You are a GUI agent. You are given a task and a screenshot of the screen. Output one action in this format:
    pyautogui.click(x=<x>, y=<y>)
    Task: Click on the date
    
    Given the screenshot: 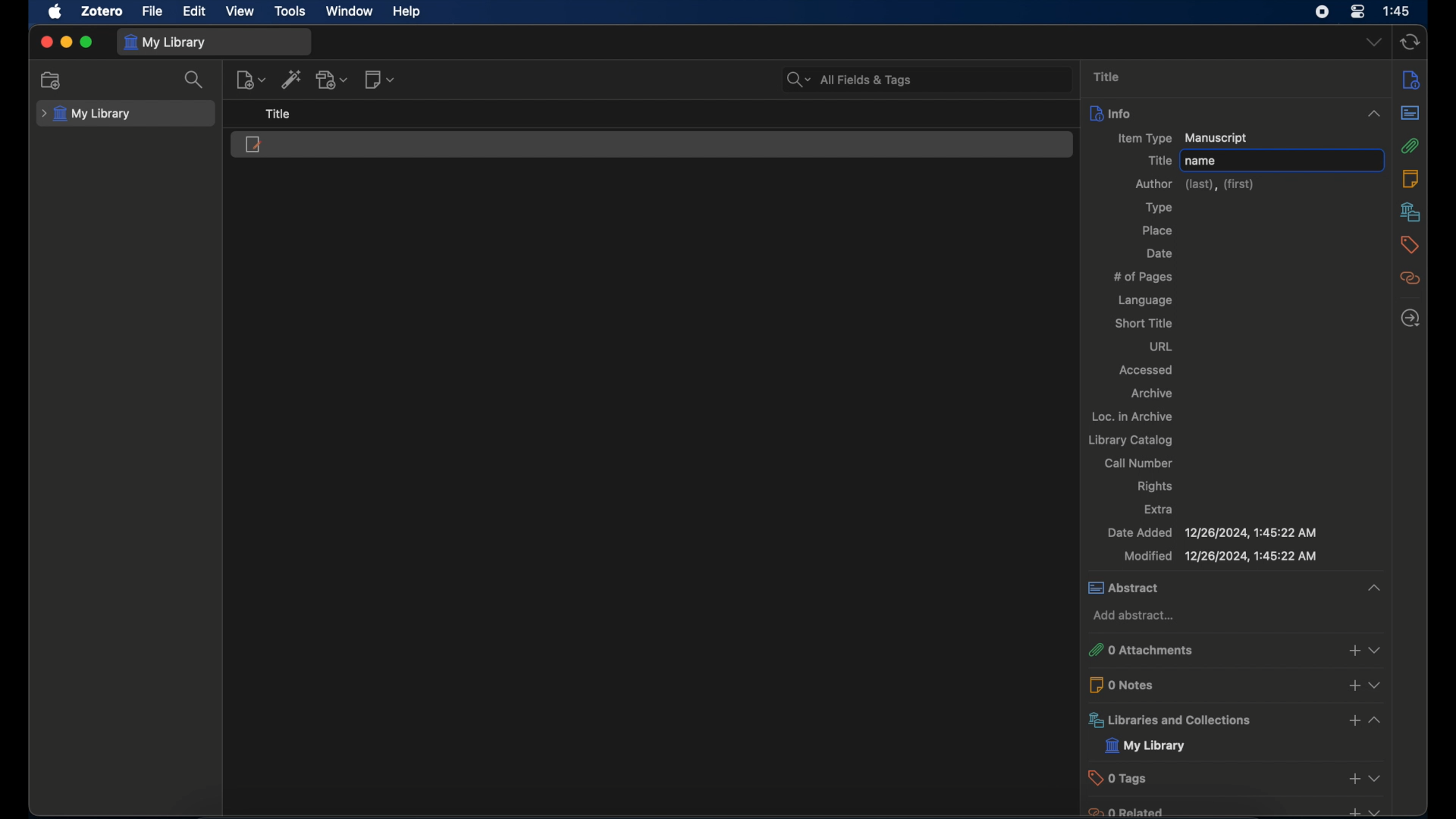 What is the action you would take?
    pyautogui.click(x=1160, y=254)
    